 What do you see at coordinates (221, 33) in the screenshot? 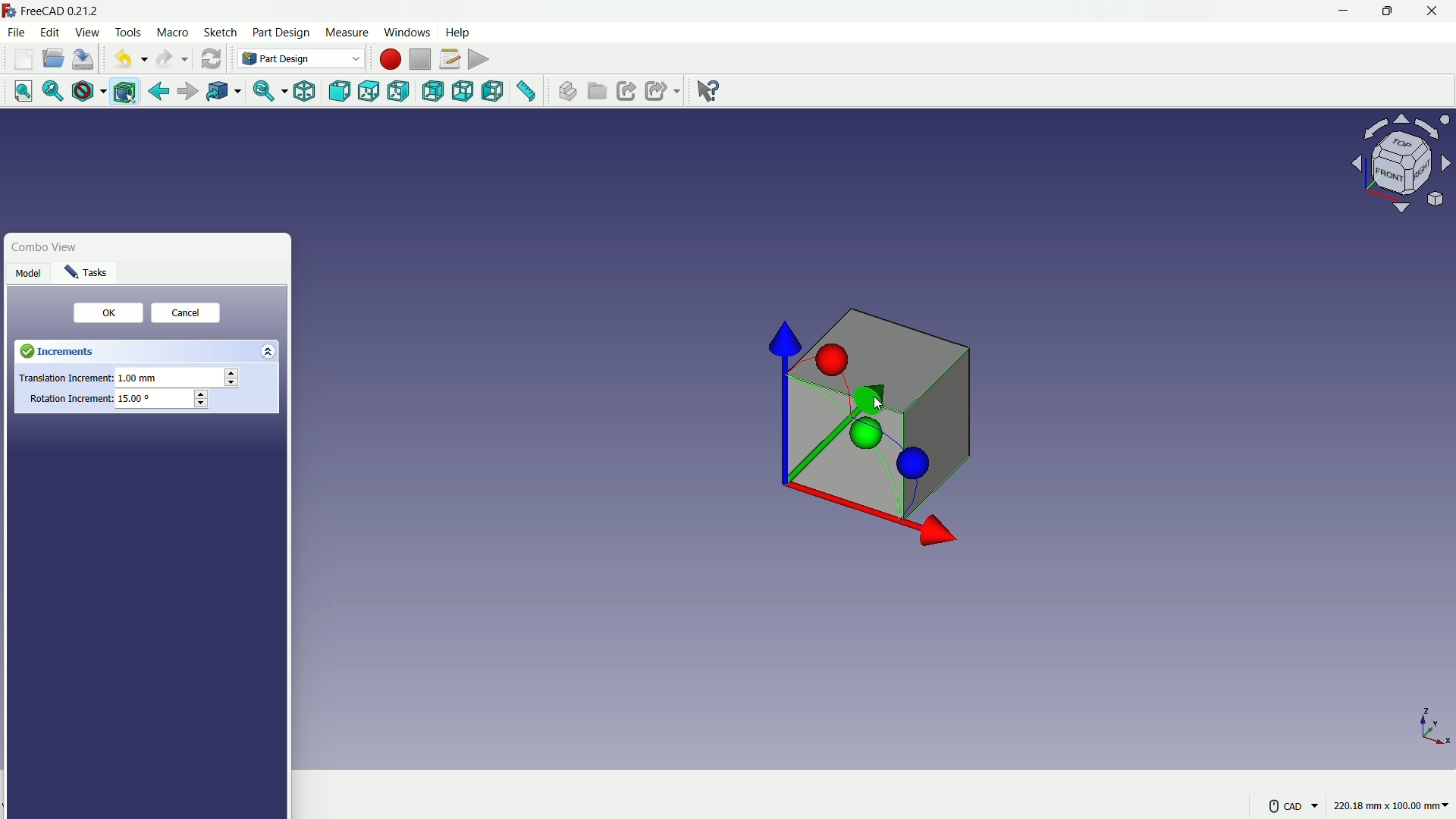
I see `sketch` at bounding box center [221, 33].